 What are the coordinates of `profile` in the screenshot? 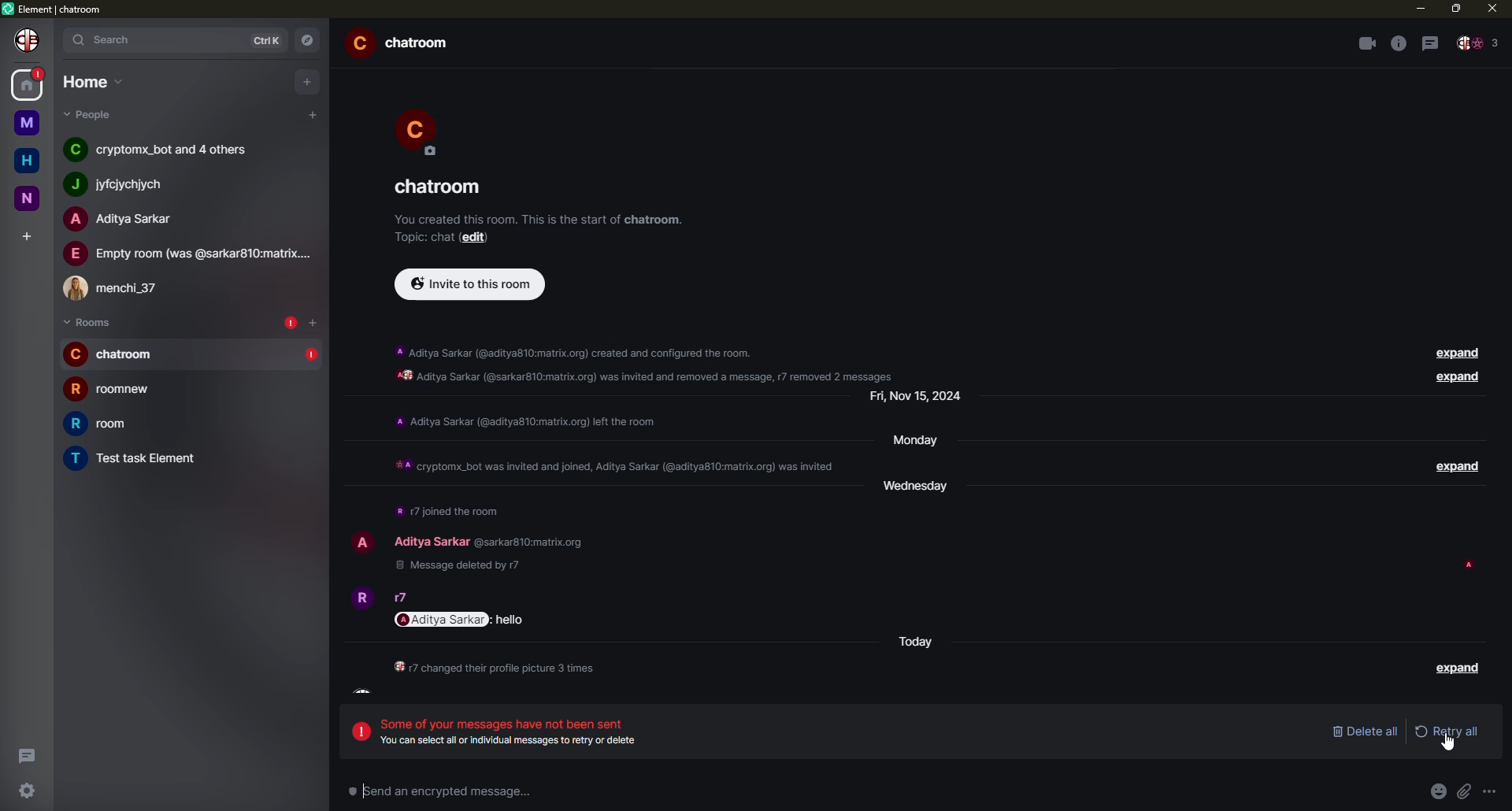 It's located at (361, 544).